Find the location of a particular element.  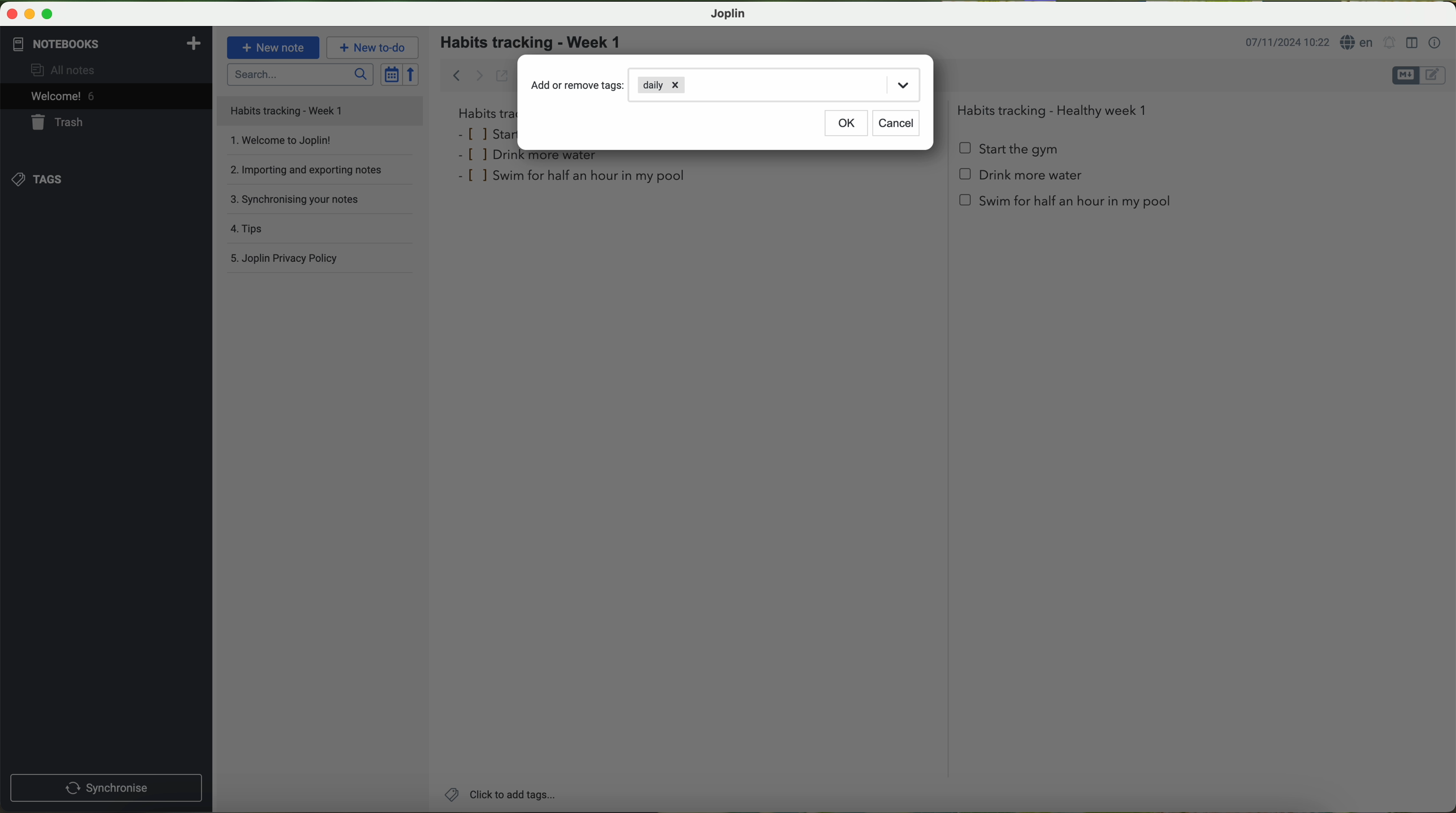

language is located at coordinates (1358, 42).